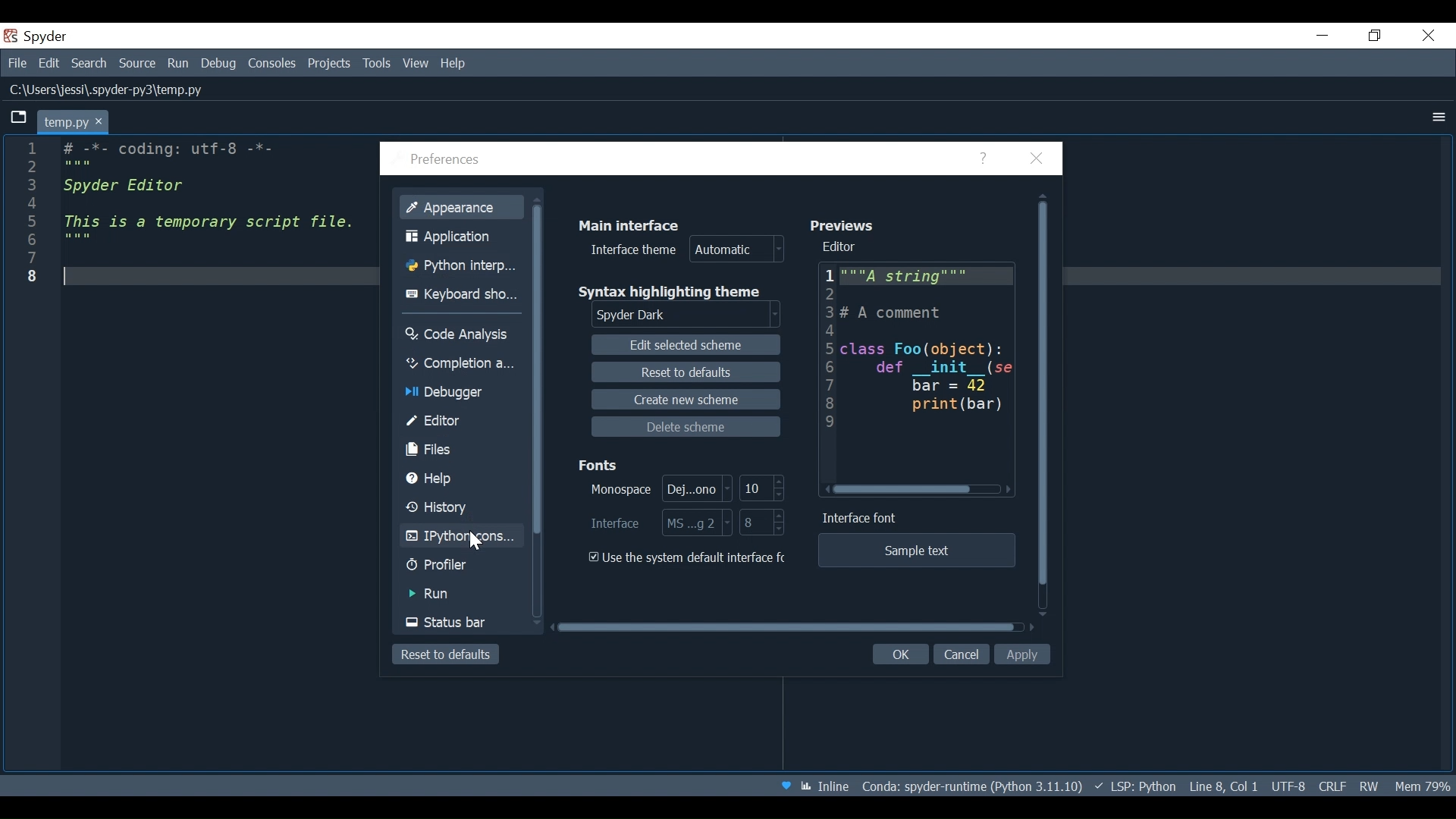  Describe the element at coordinates (87, 64) in the screenshot. I see `Search` at that location.